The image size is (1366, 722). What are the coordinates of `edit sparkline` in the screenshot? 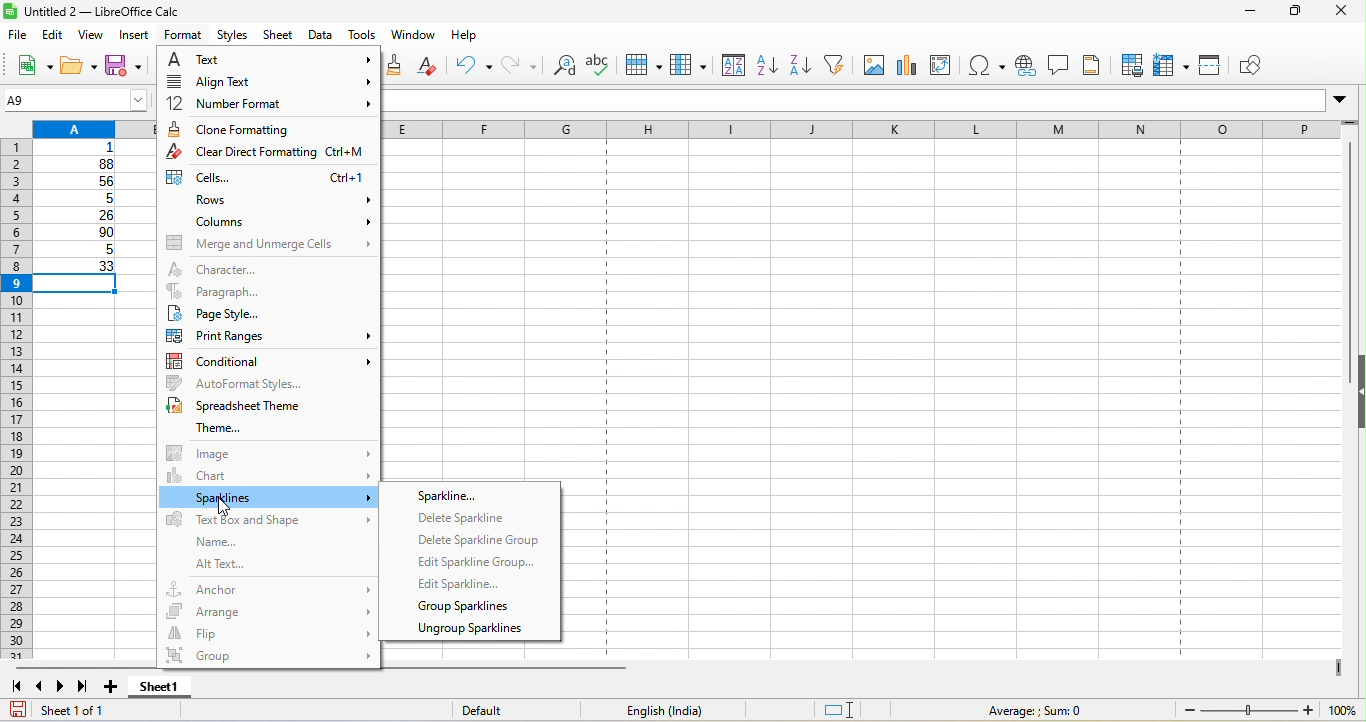 It's located at (465, 584).